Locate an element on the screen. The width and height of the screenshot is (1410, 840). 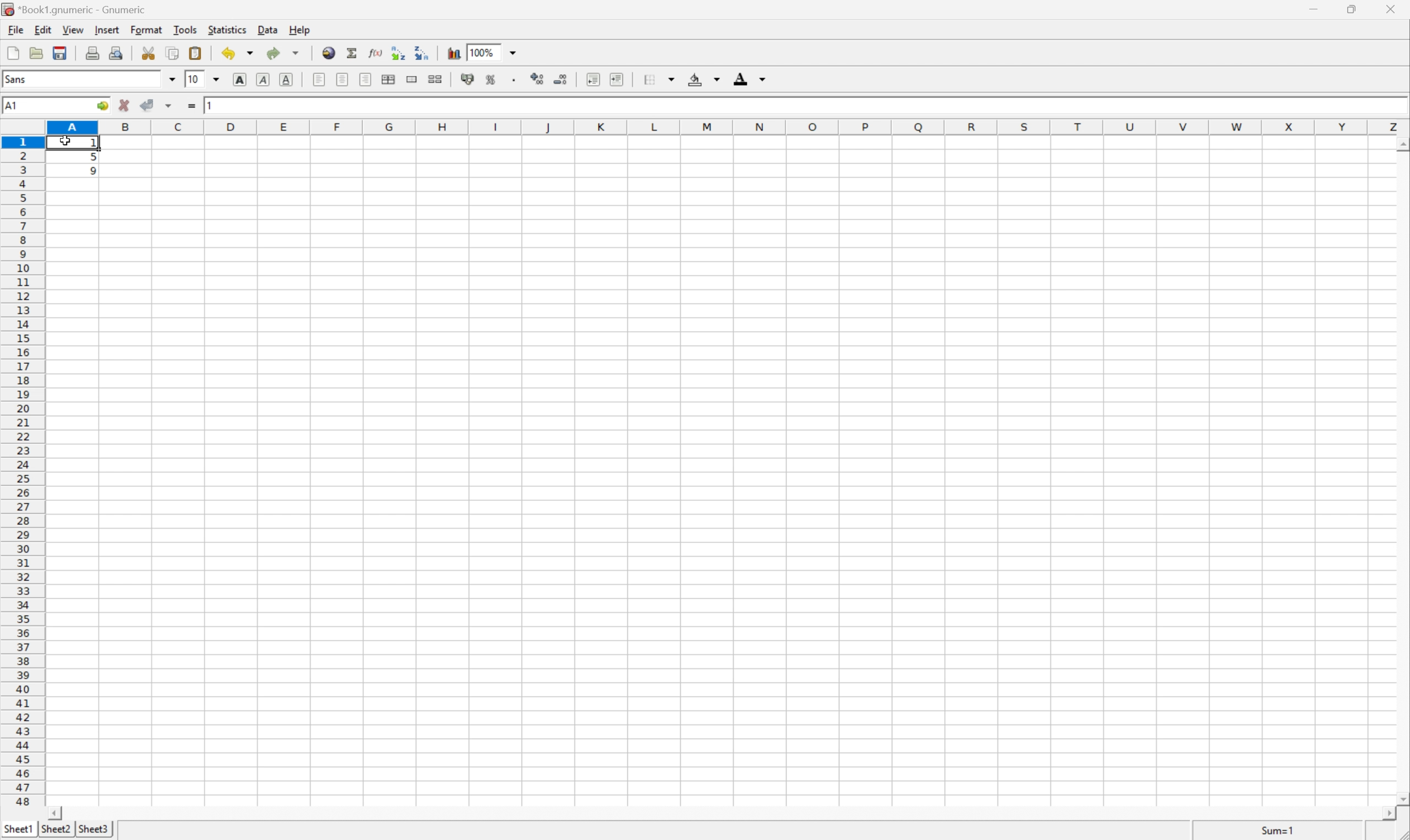
decrease number of decimals displayed is located at coordinates (559, 79).